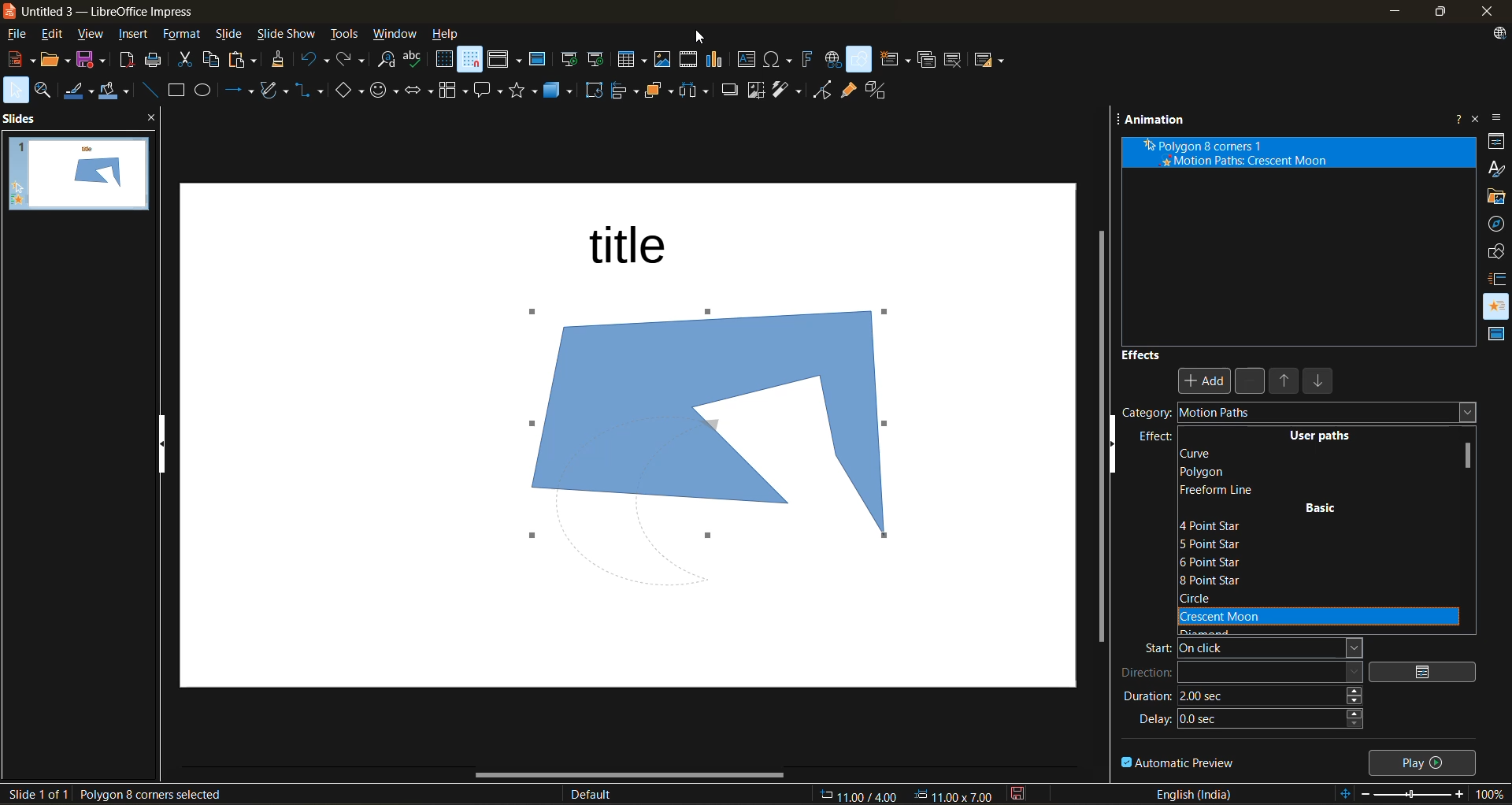 The height and width of the screenshot is (805, 1512). Describe the element at coordinates (1152, 439) in the screenshot. I see `effect` at that location.